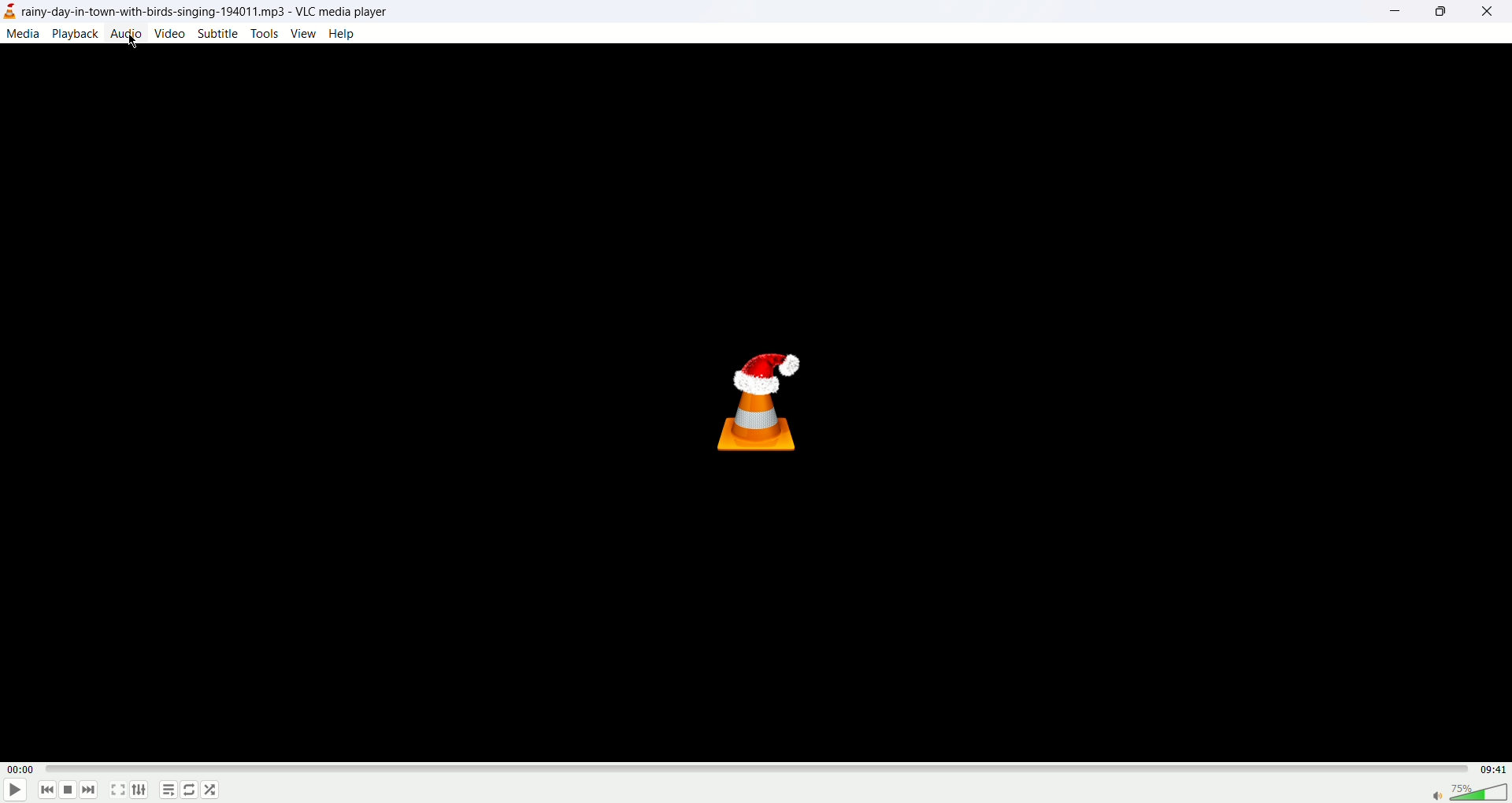  What do you see at coordinates (342, 32) in the screenshot?
I see `Help` at bounding box center [342, 32].